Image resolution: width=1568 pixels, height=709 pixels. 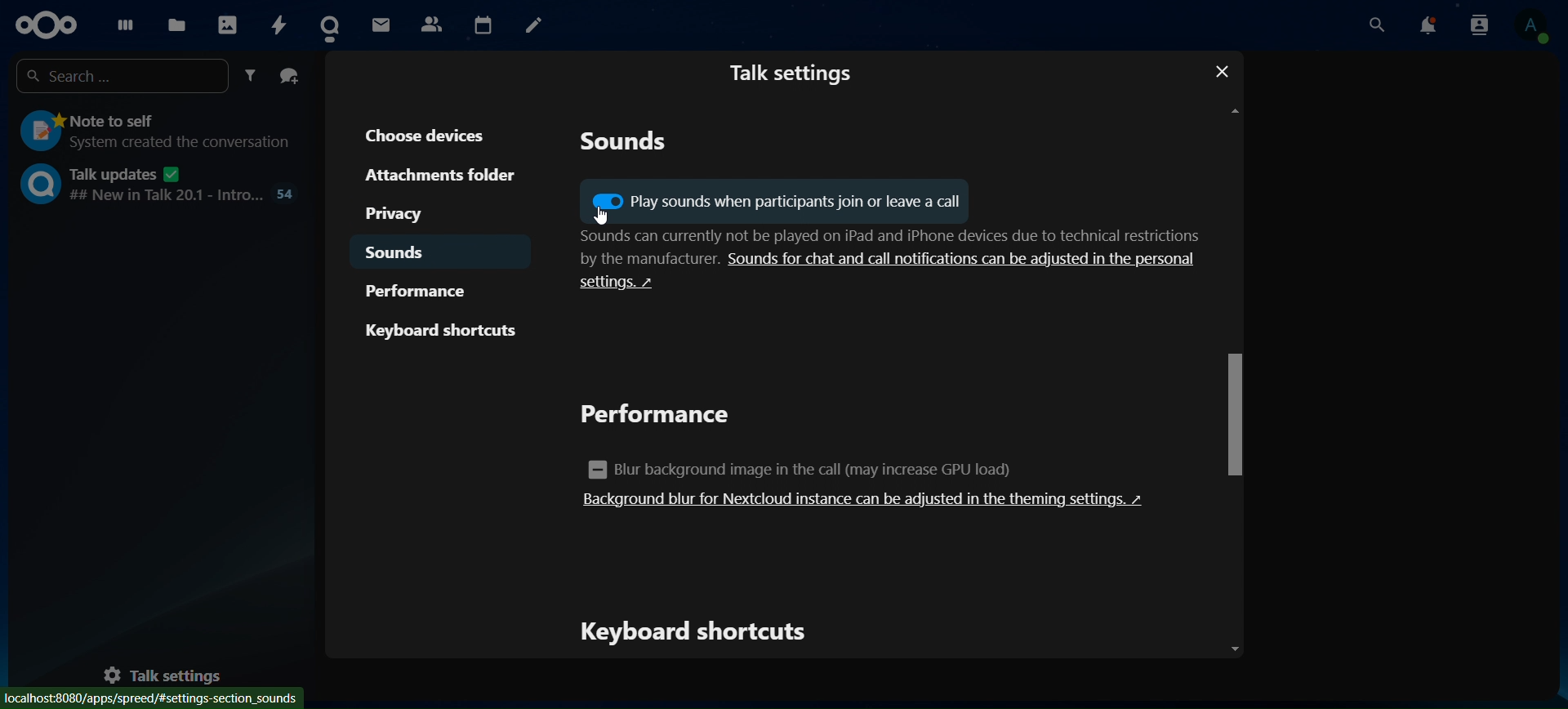 I want to click on view profile, so click(x=1530, y=28).